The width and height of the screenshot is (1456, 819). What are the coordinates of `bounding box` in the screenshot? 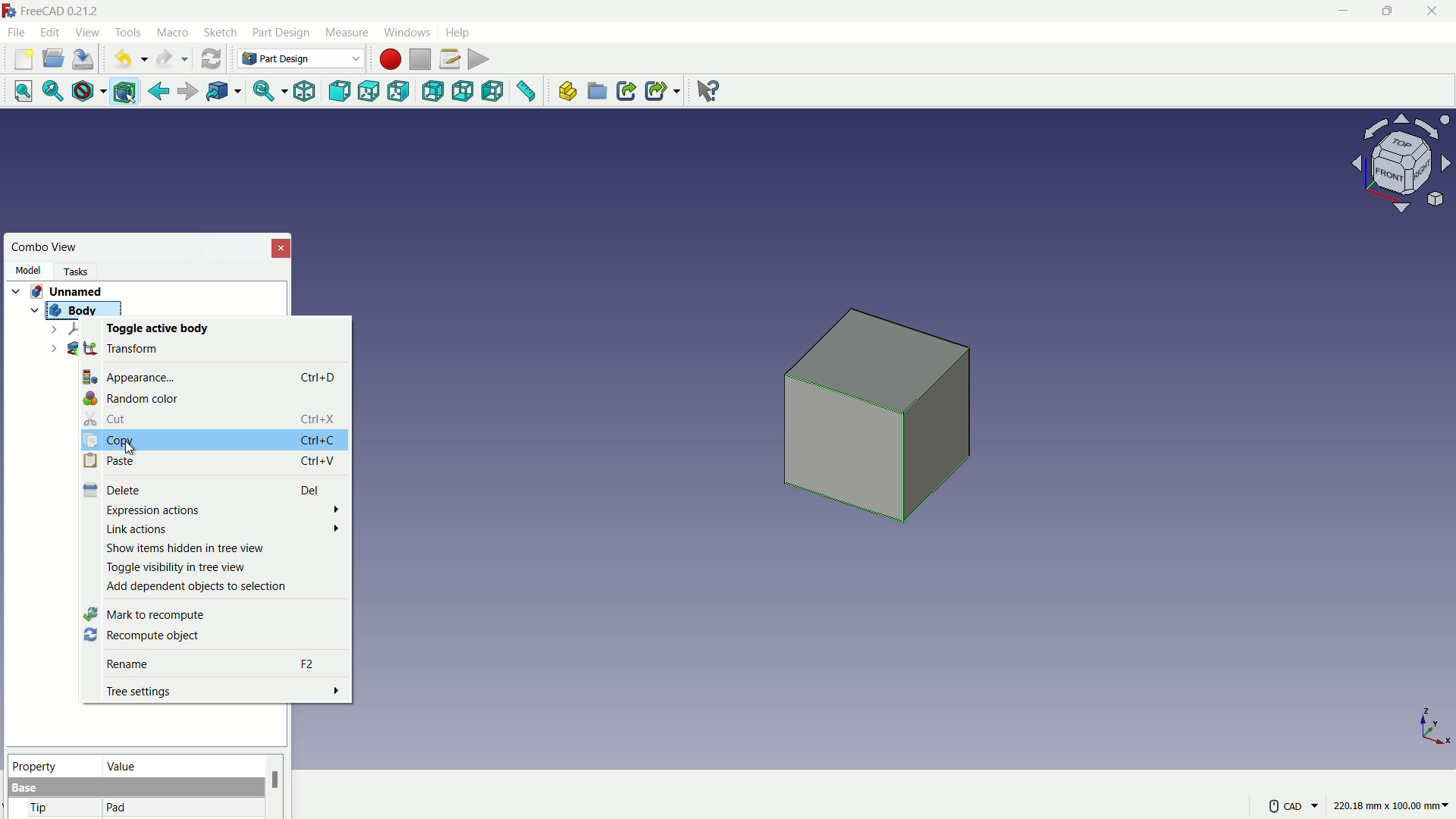 It's located at (127, 93).